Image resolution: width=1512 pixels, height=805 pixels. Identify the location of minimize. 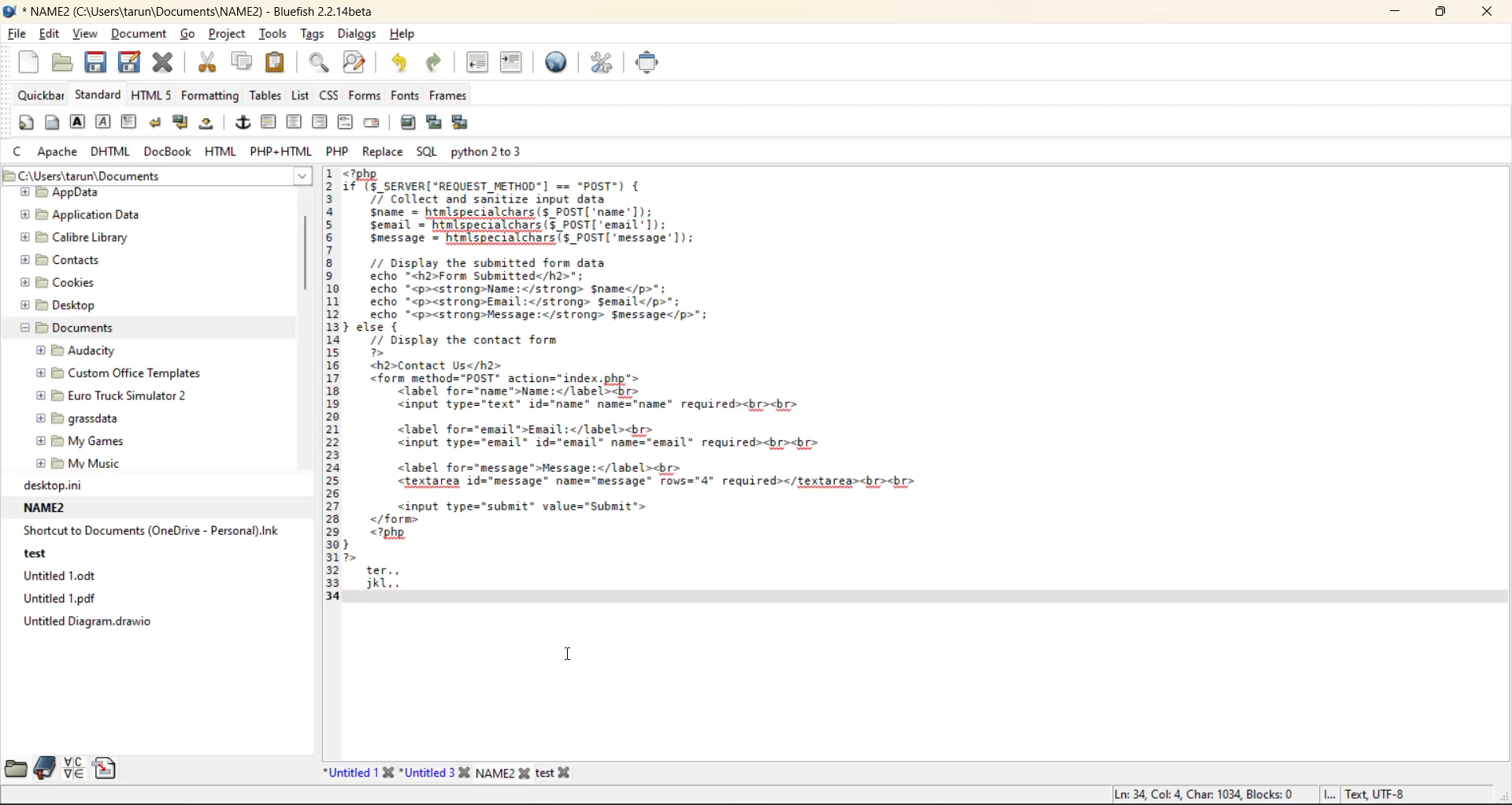
(1402, 14).